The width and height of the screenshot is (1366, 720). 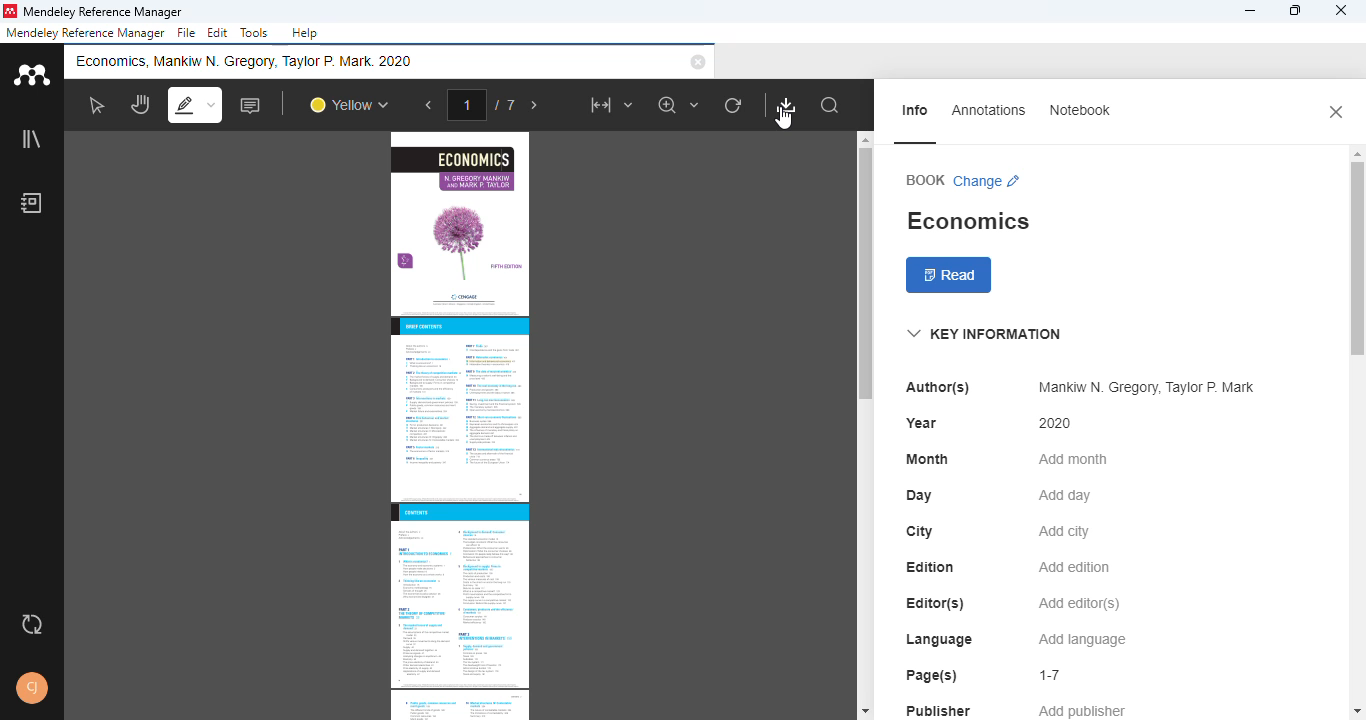 What do you see at coordinates (787, 105) in the screenshot?
I see `download` at bounding box center [787, 105].